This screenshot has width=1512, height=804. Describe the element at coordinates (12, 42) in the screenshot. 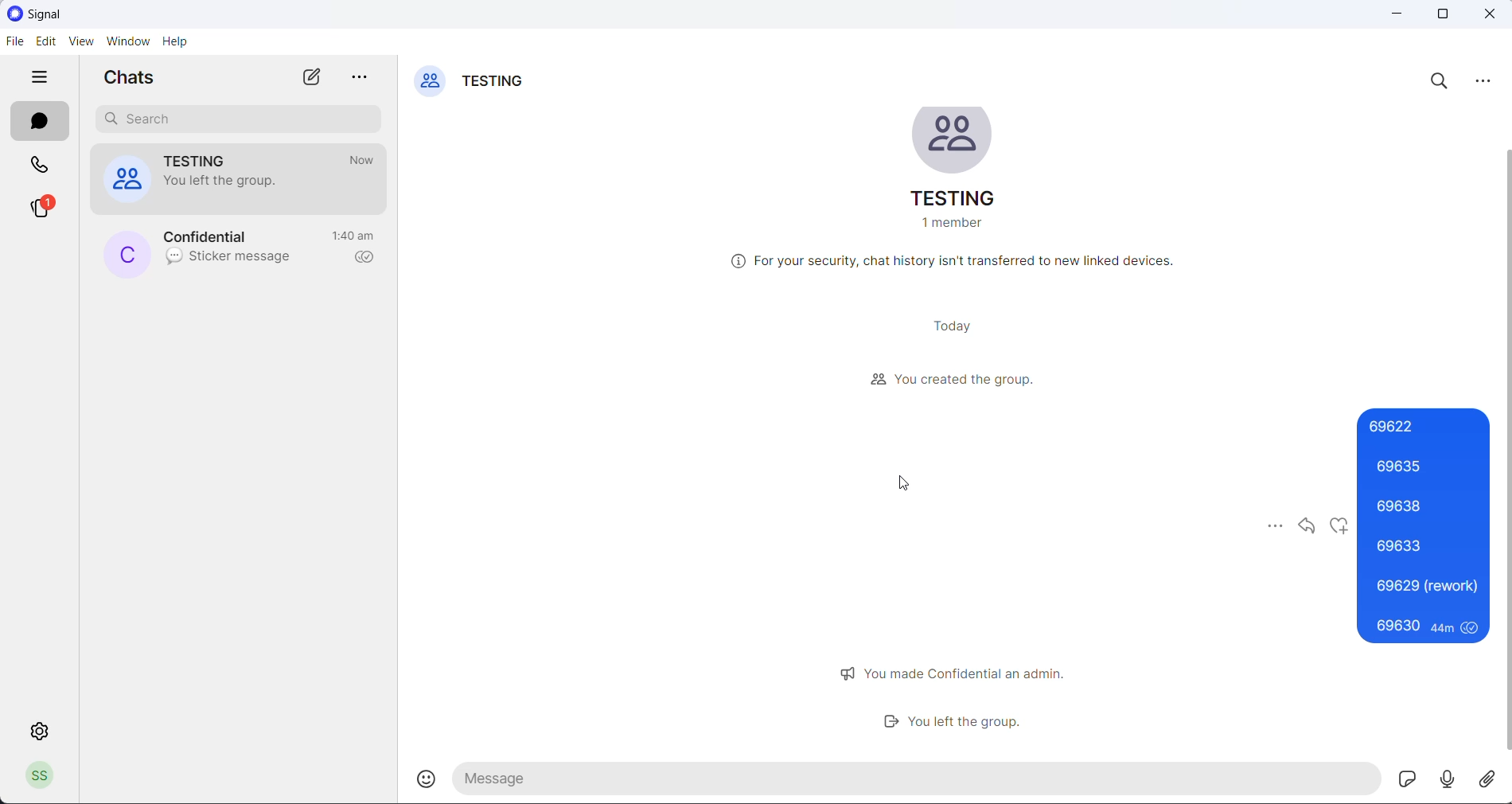

I see `file` at that location.